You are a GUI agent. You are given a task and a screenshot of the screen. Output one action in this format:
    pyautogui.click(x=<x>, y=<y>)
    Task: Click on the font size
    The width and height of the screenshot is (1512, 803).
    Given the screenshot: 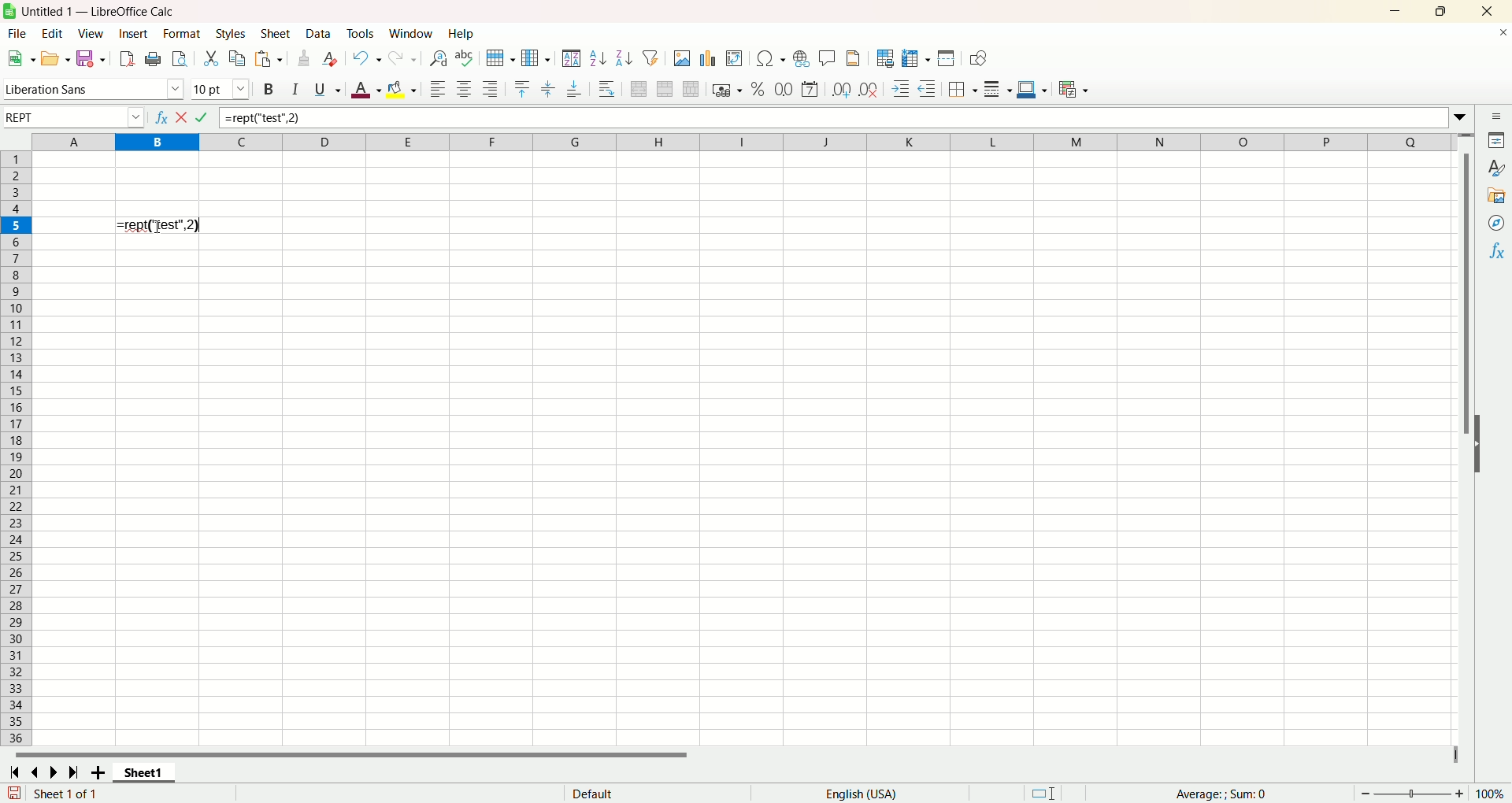 What is the action you would take?
    pyautogui.click(x=221, y=91)
    